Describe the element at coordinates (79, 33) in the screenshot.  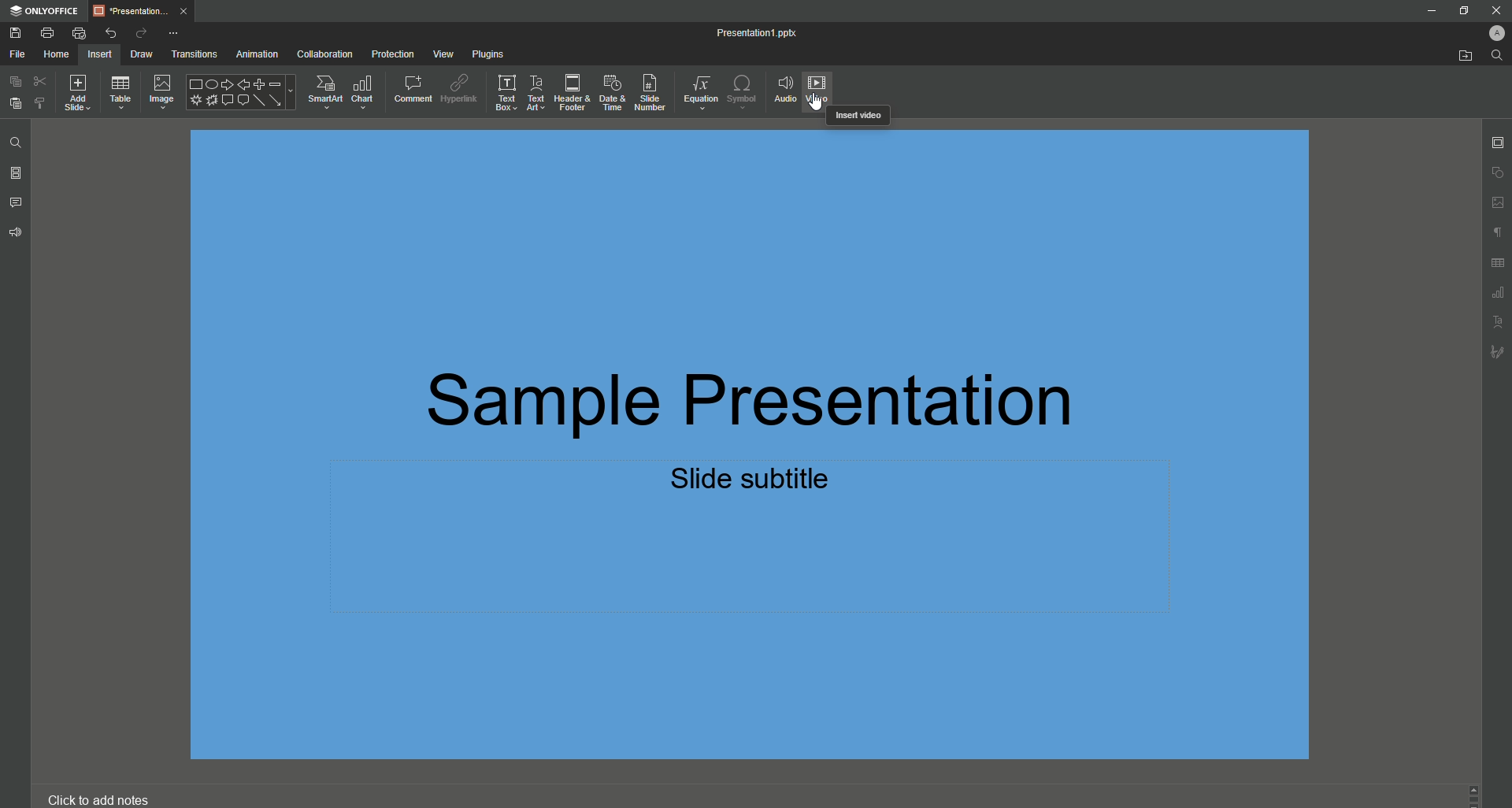
I see `Quick Print` at that location.